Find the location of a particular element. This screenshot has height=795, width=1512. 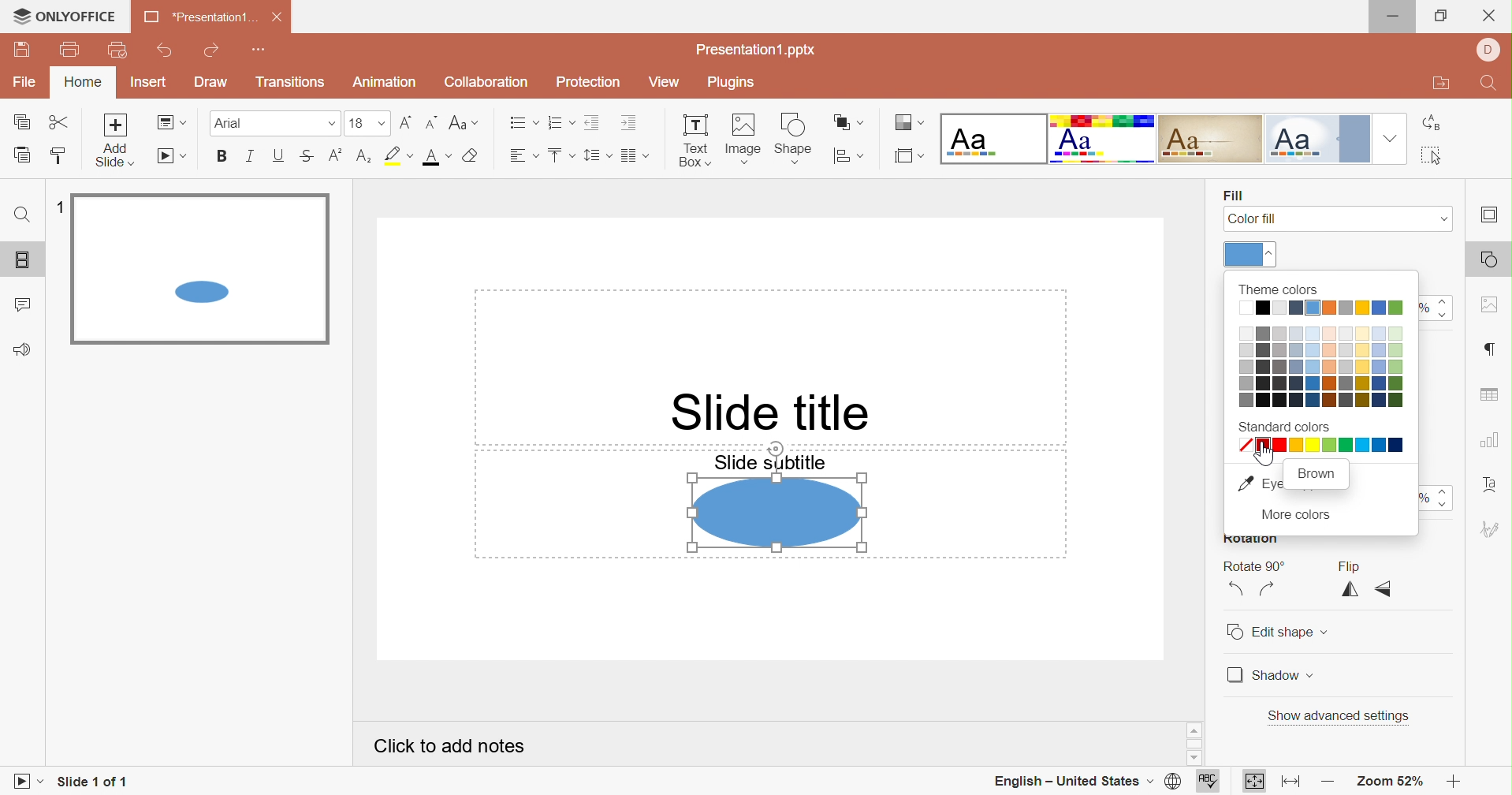

Strikethrough is located at coordinates (307, 157).